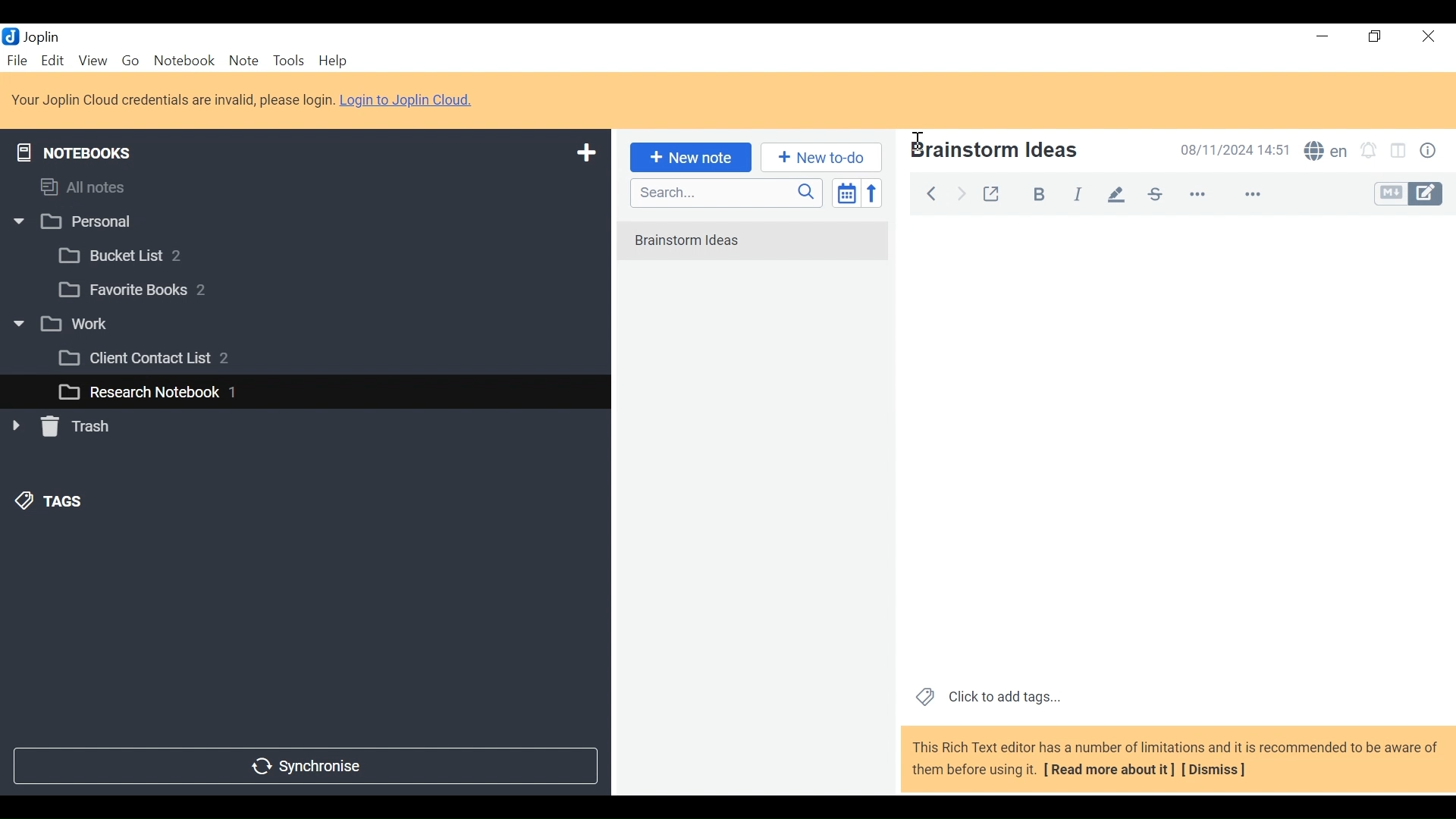  Describe the element at coordinates (688, 156) in the screenshot. I see `New note` at that location.